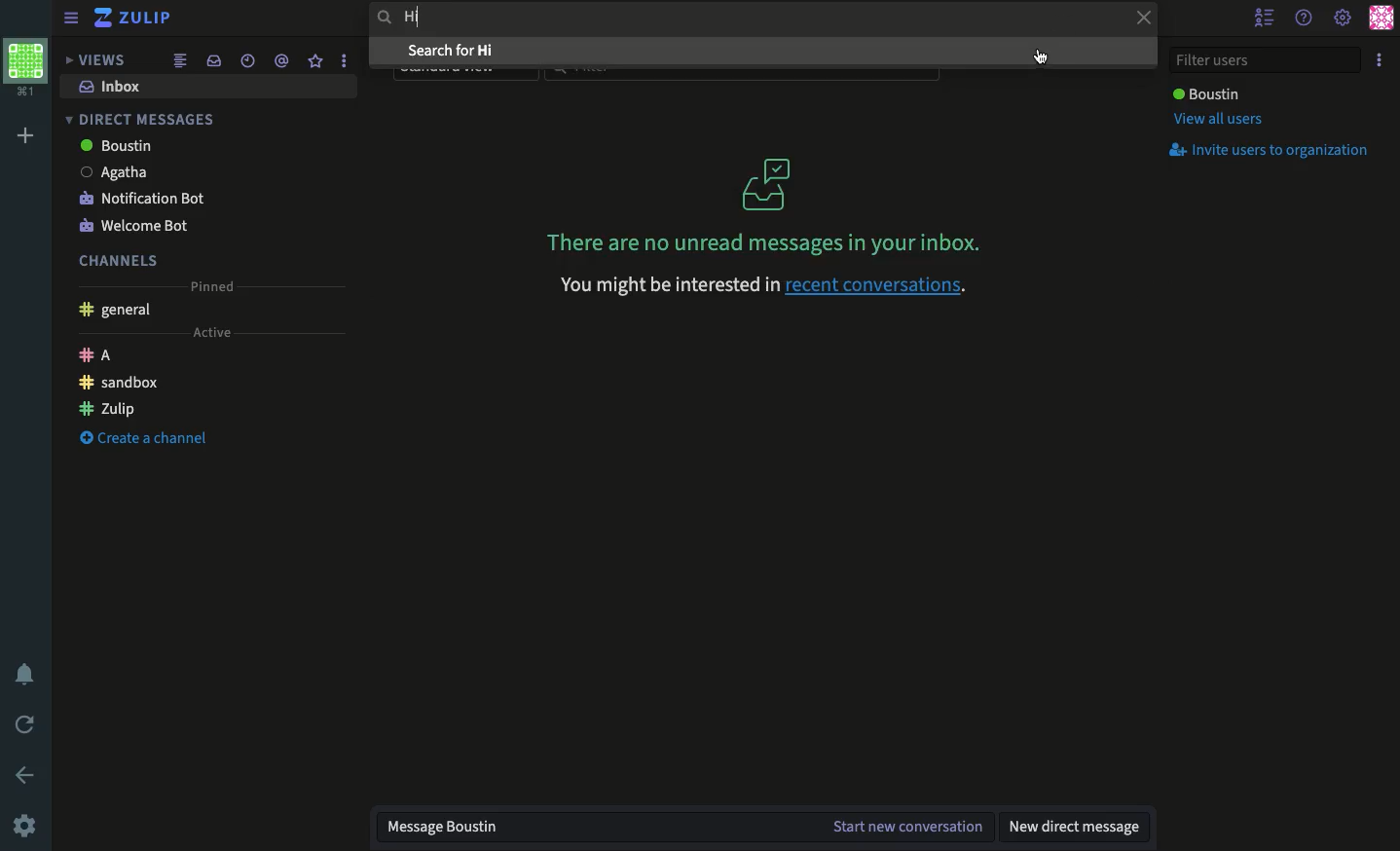  What do you see at coordinates (1072, 829) in the screenshot?
I see `New DM` at bounding box center [1072, 829].